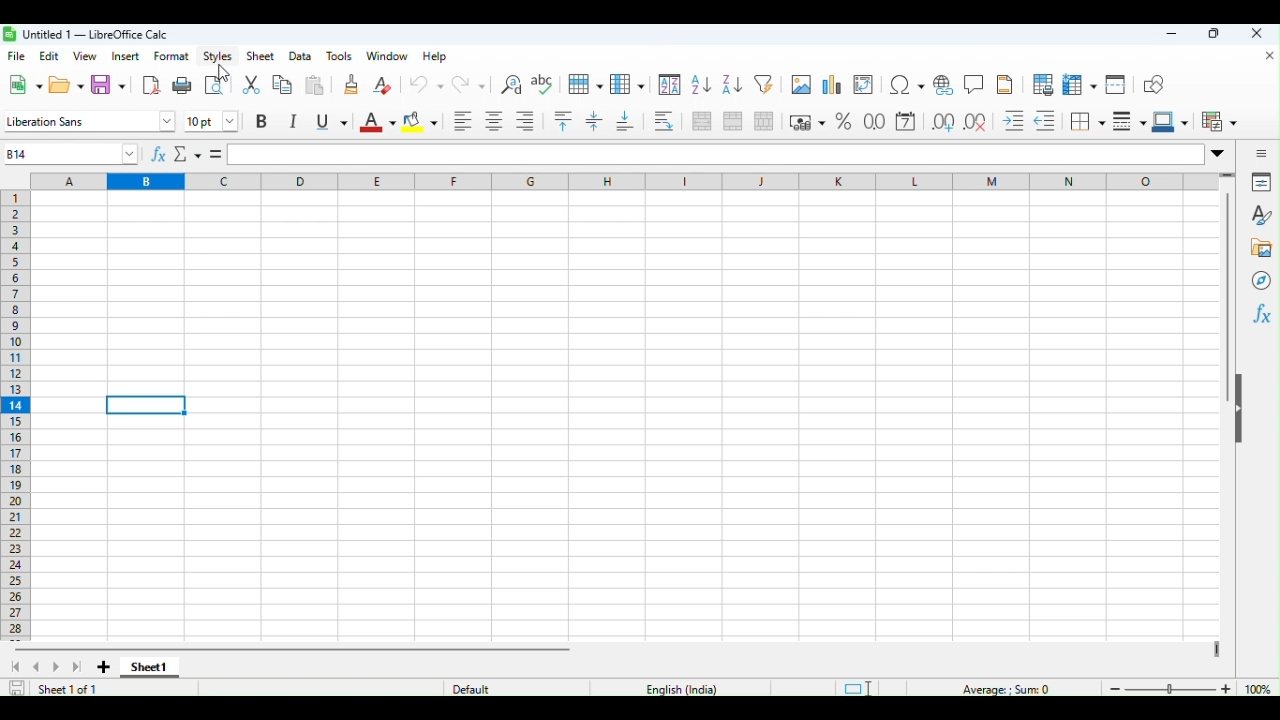 This screenshot has width=1280, height=720. Describe the element at coordinates (1226, 300) in the screenshot. I see `Vertical scrollbar` at that location.